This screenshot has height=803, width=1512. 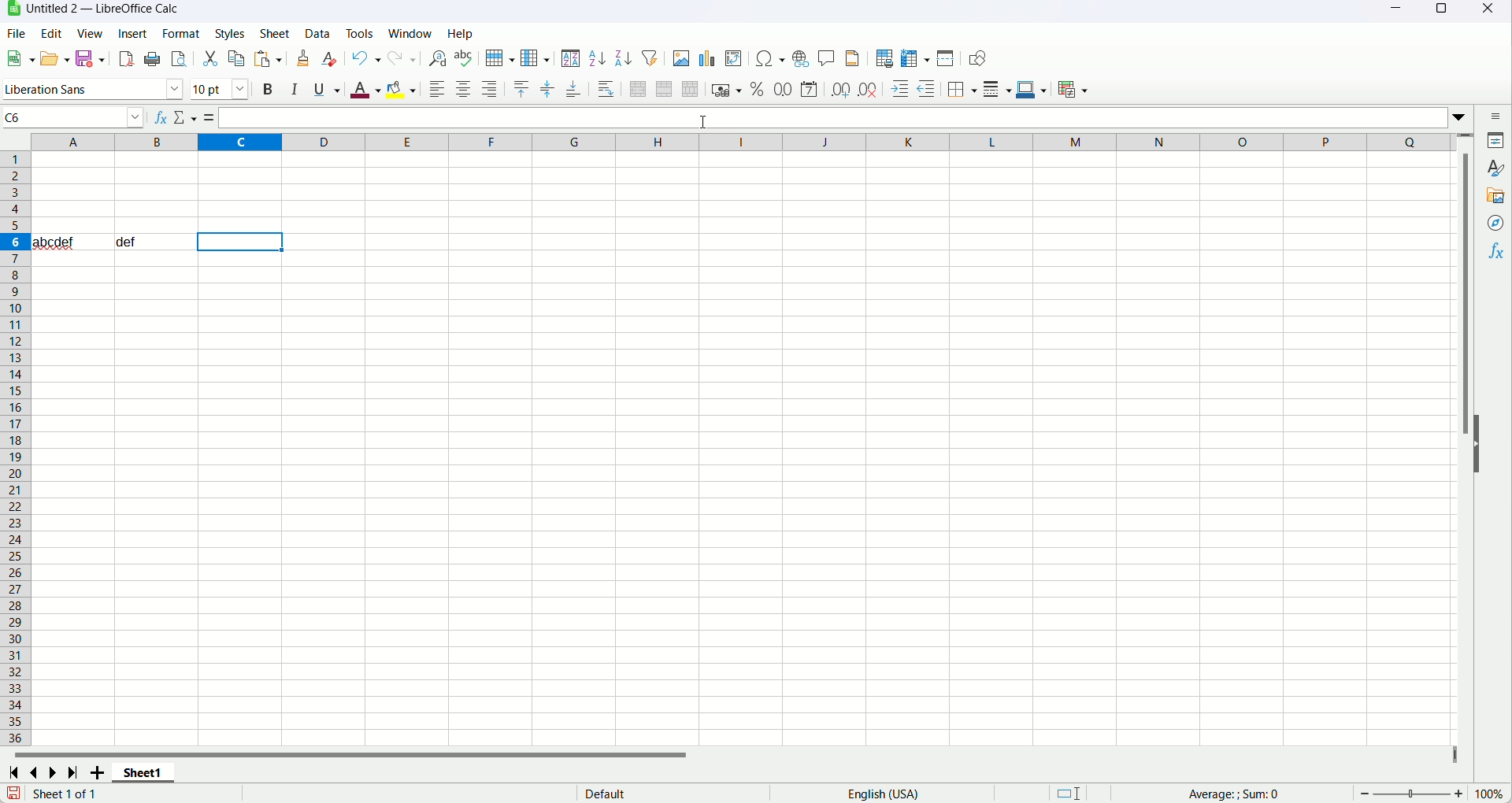 What do you see at coordinates (15, 449) in the screenshot?
I see `rows` at bounding box center [15, 449].